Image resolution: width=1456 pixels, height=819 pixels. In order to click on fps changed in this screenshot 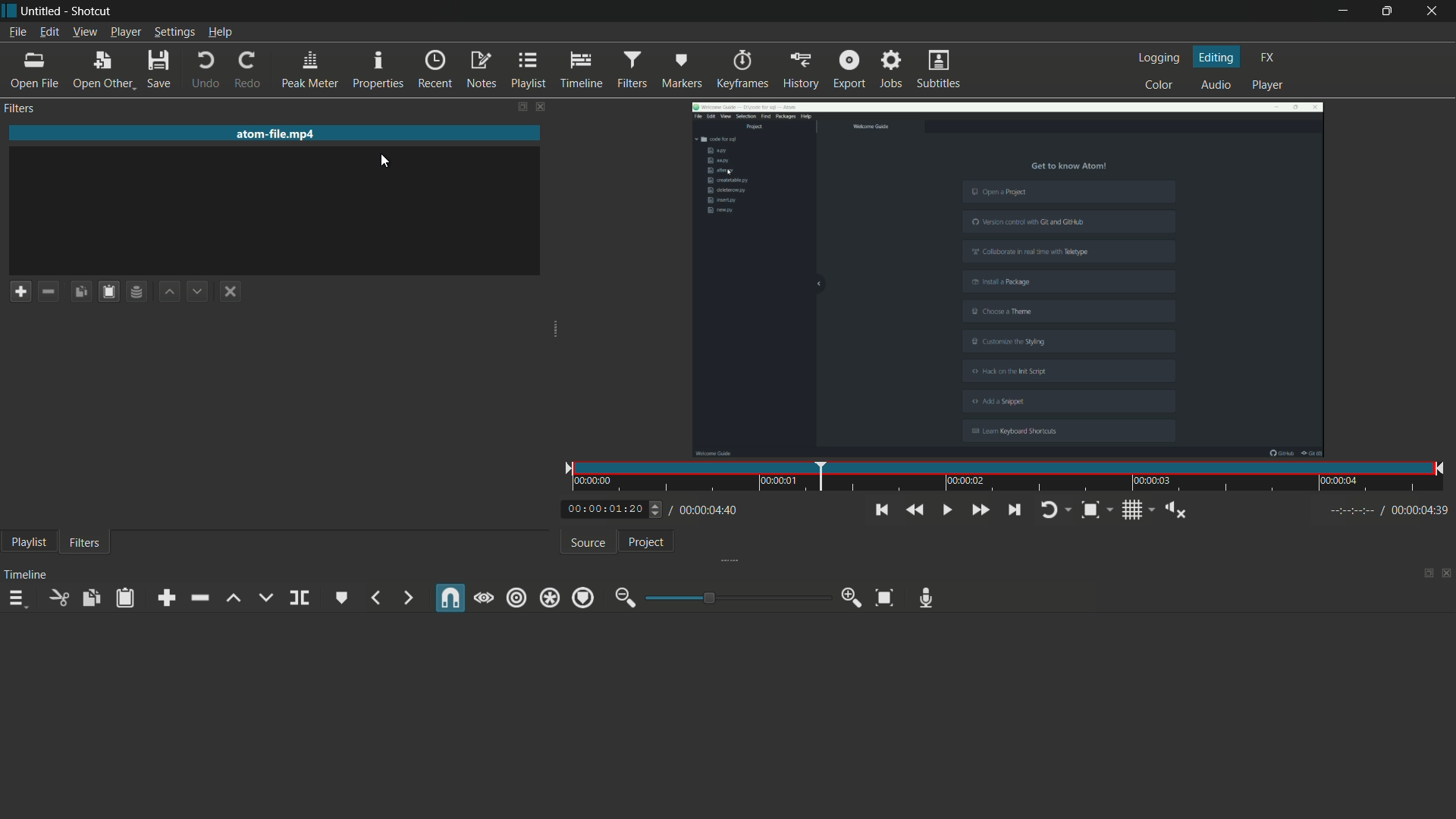, I will do `click(1008, 277)`.